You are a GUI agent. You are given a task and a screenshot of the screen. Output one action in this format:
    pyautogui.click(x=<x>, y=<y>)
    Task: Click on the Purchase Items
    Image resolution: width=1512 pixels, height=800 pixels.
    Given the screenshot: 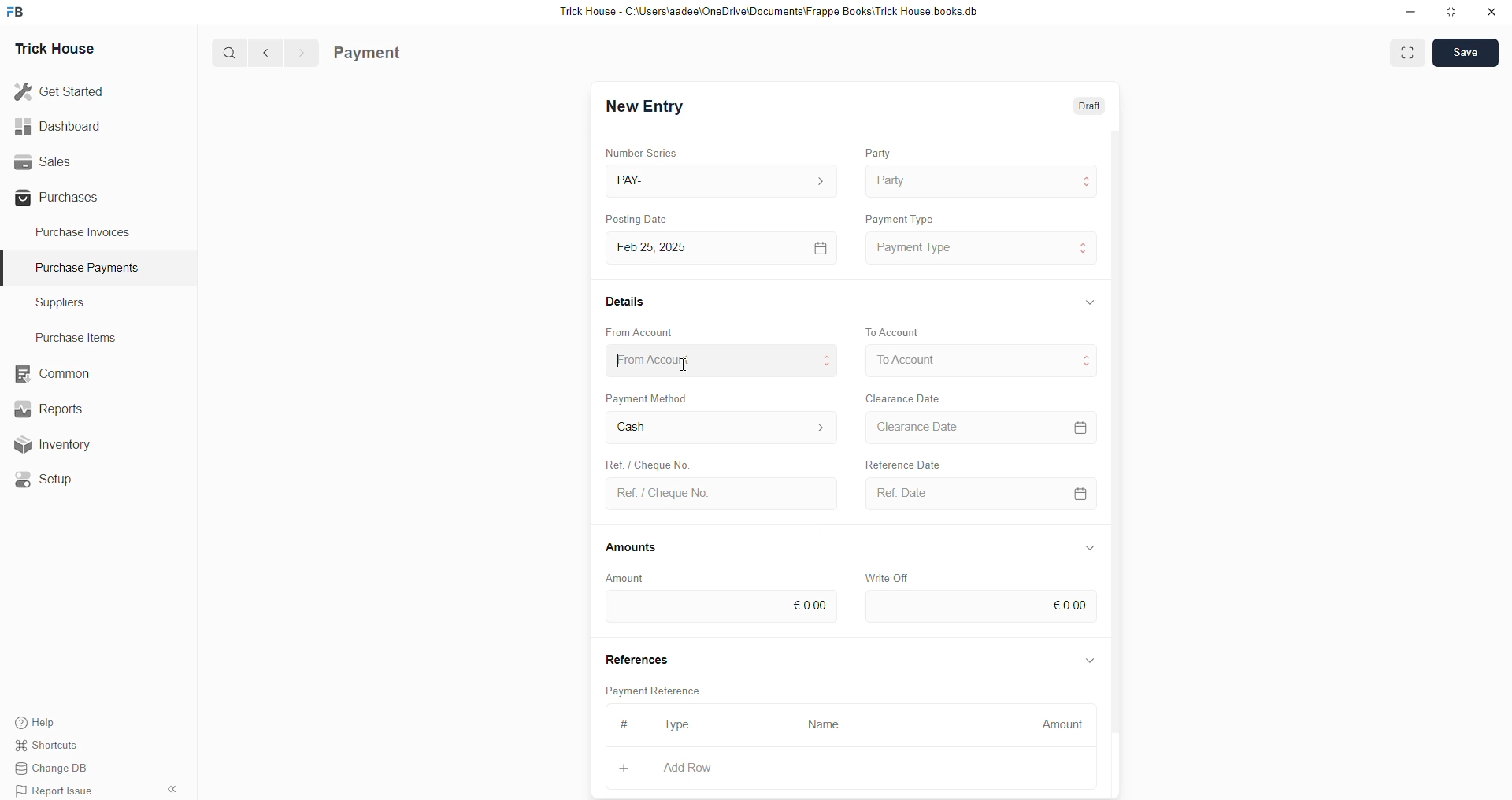 What is the action you would take?
    pyautogui.click(x=80, y=335)
    